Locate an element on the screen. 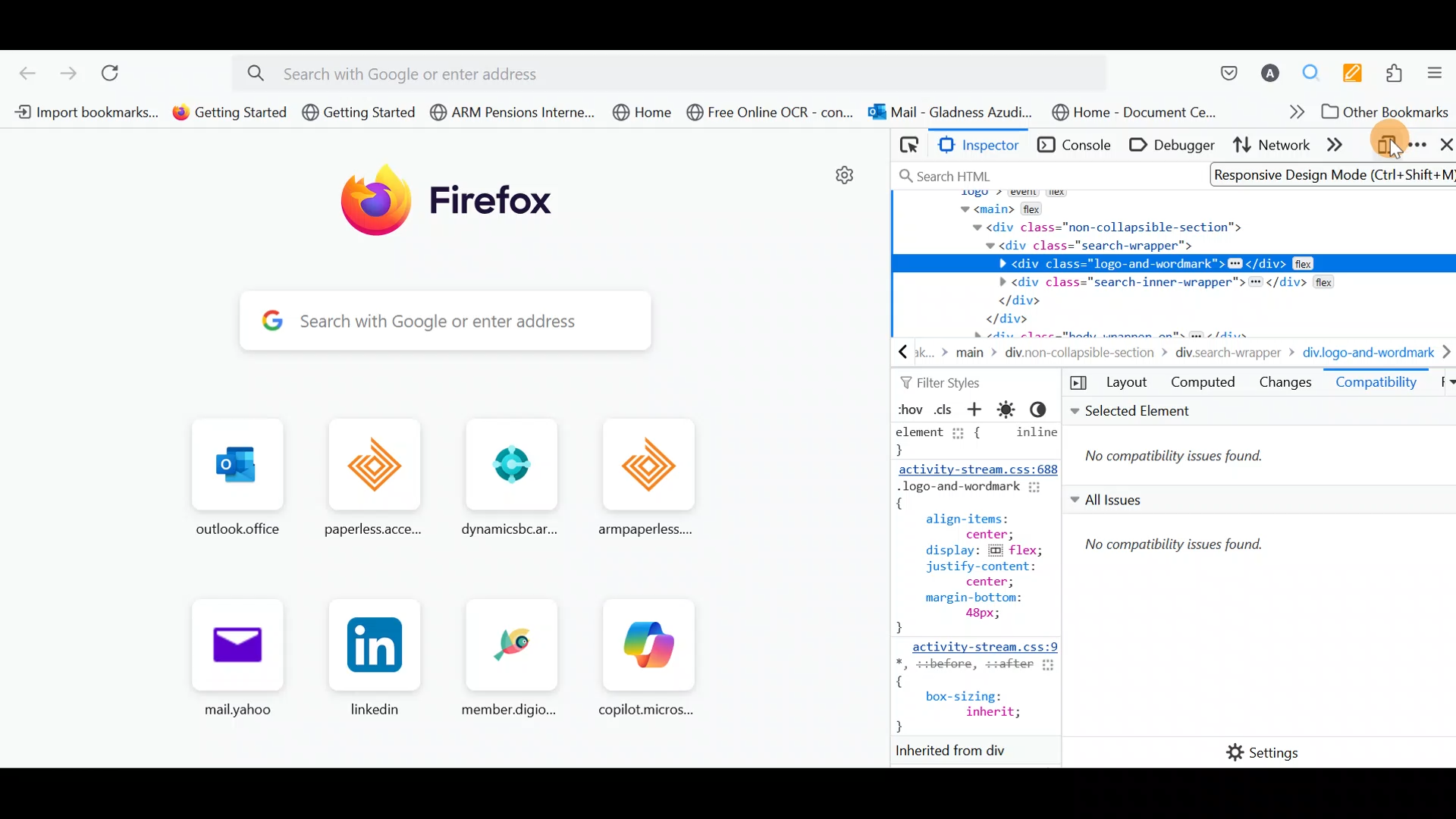 This screenshot has width=1456, height=819. Filter styles is located at coordinates (946, 383).